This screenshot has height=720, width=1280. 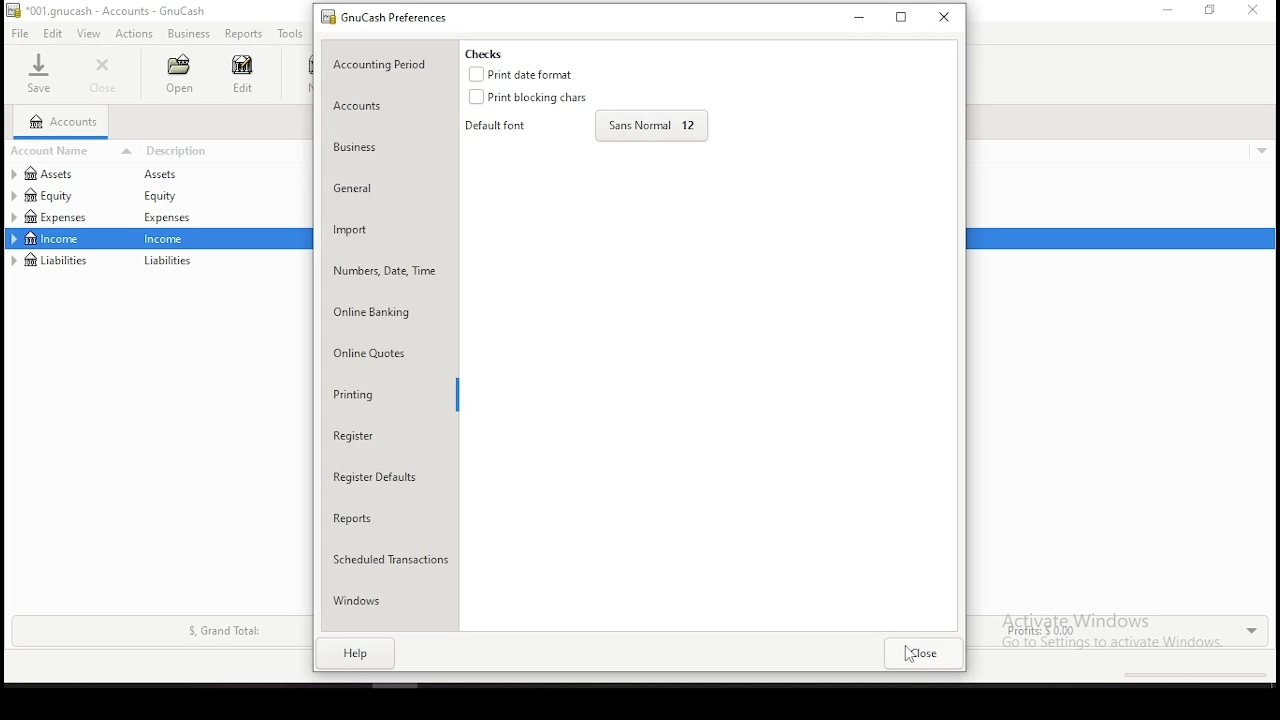 What do you see at coordinates (360, 189) in the screenshot?
I see `general` at bounding box center [360, 189].